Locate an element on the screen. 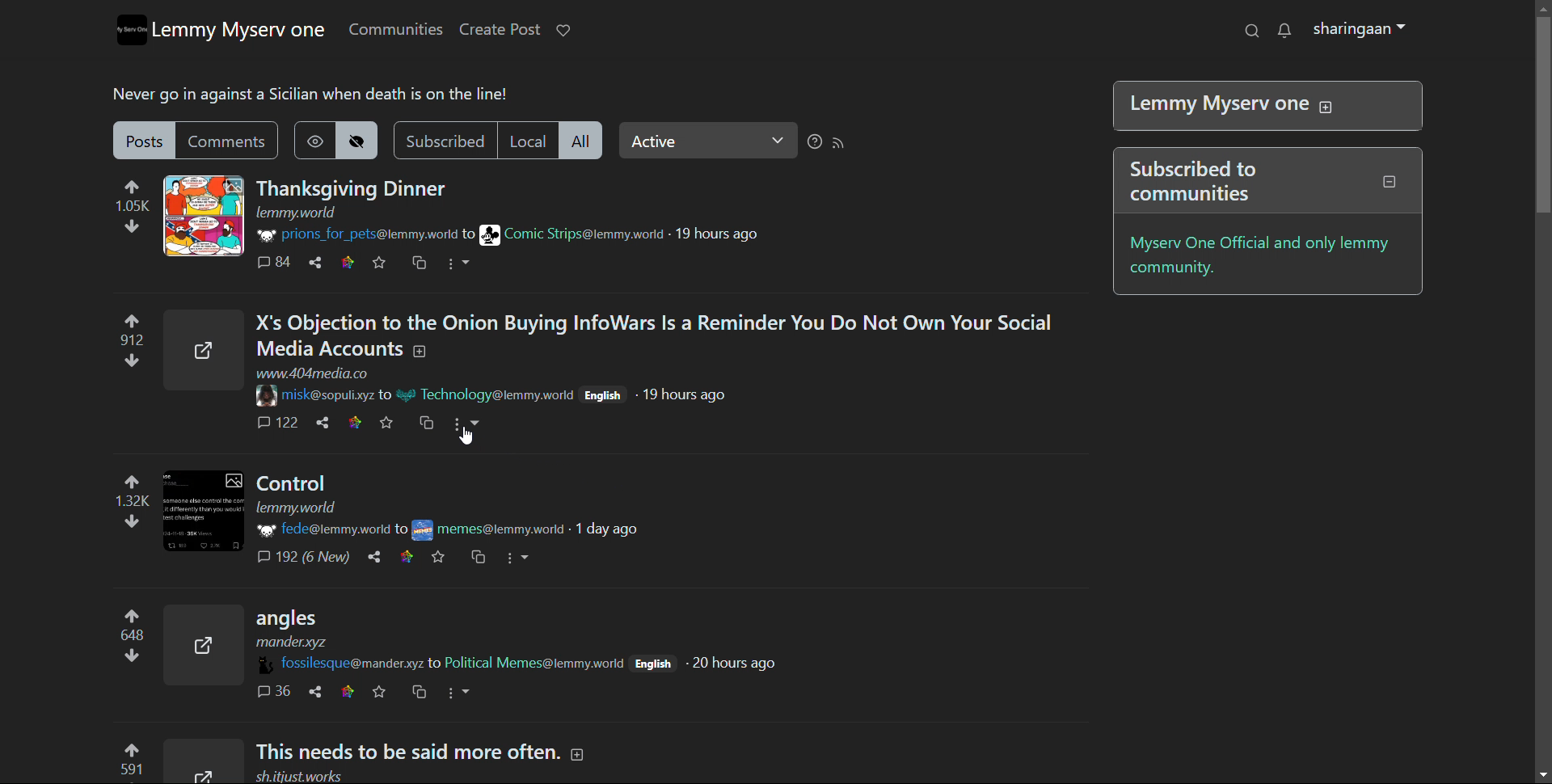 This screenshot has width=1552, height=784. username is located at coordinates (339, 663).